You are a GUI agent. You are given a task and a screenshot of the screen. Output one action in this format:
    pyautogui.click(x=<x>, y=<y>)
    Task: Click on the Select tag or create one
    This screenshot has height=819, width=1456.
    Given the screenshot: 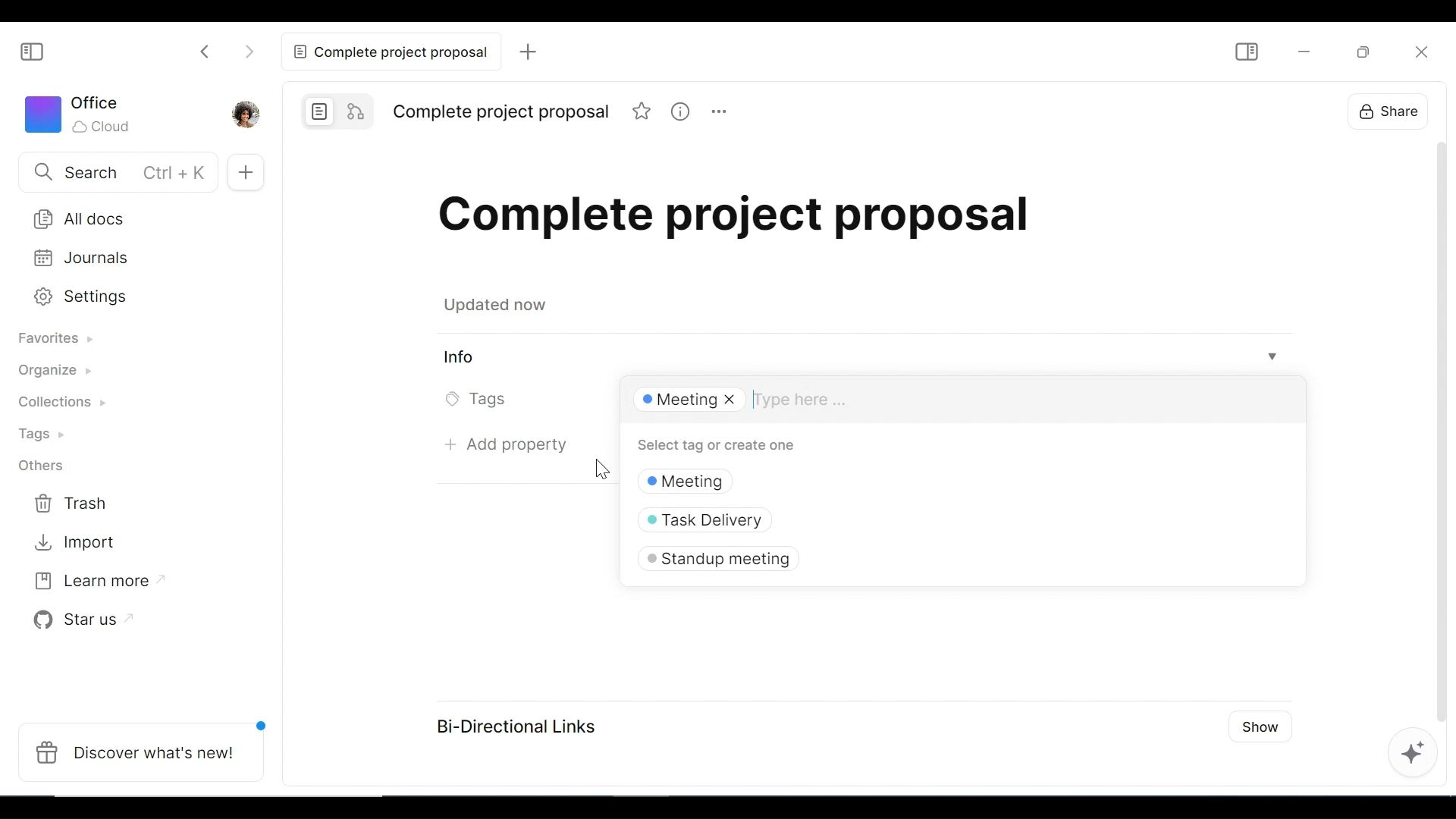 What is the action you would take?
    pyautogui.click(x=713, y=446)
    